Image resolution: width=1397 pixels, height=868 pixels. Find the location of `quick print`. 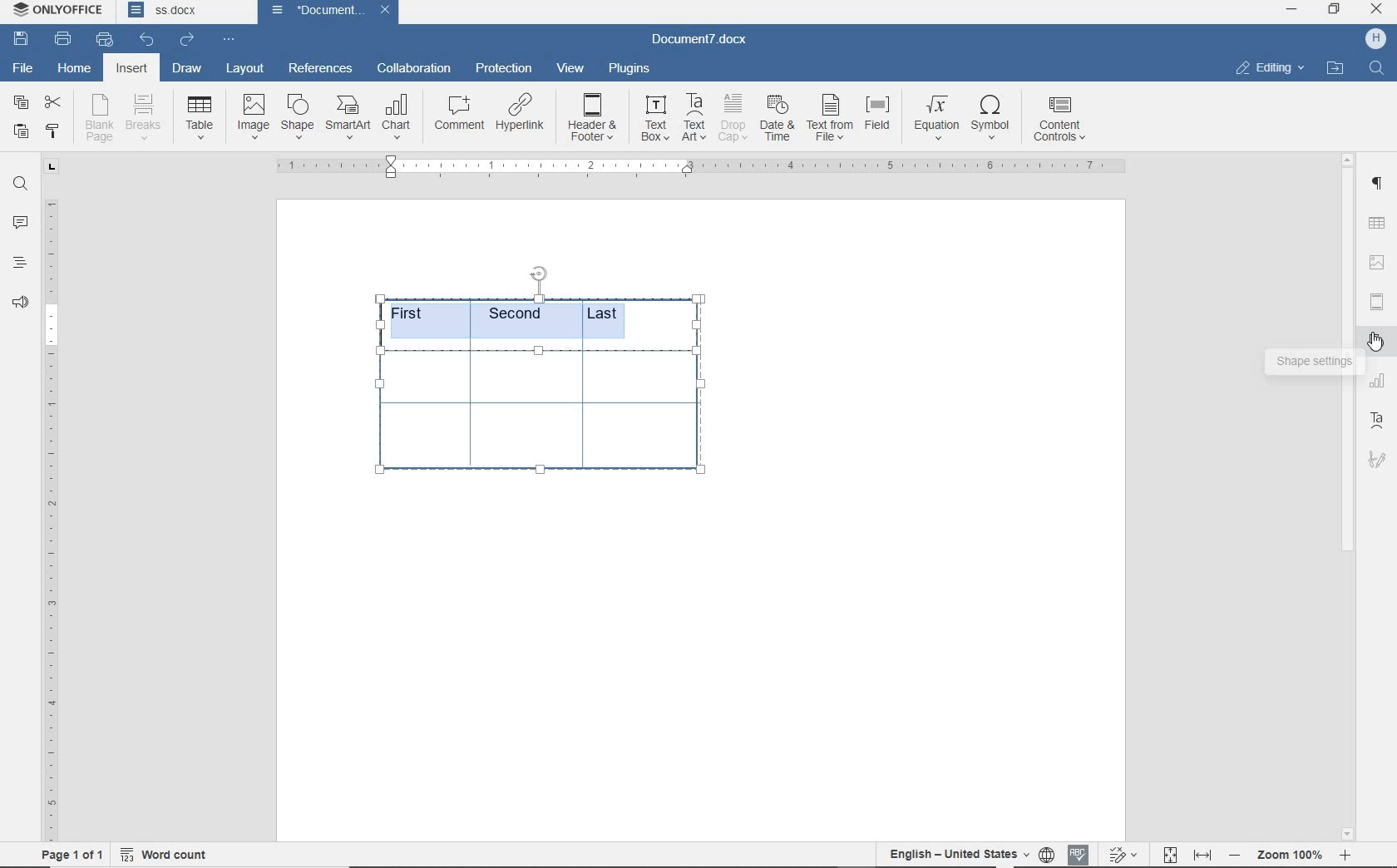

quick print is located at coordinates (104, 40).